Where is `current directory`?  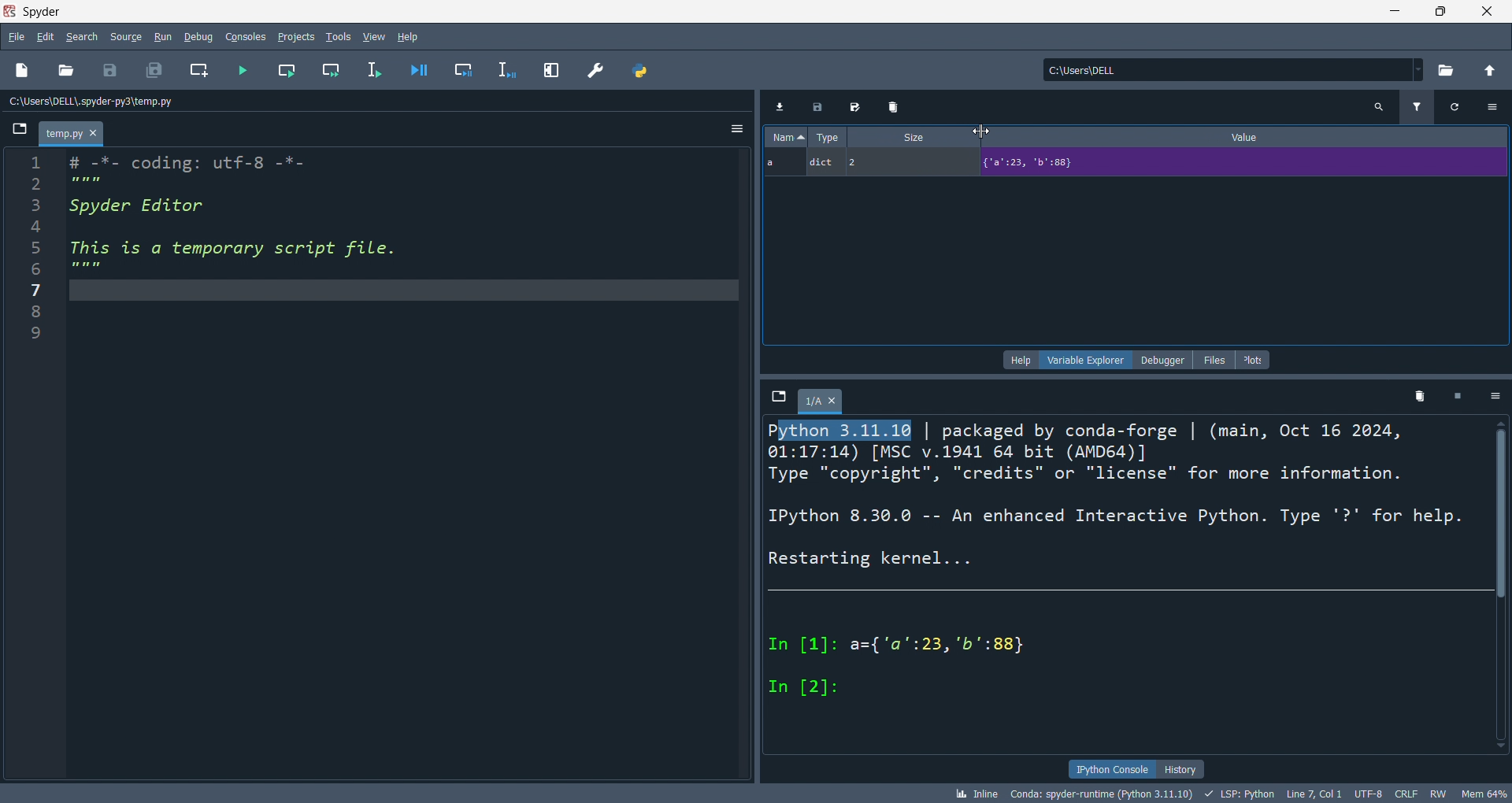 current directory is located at coordinates (1226, 71).